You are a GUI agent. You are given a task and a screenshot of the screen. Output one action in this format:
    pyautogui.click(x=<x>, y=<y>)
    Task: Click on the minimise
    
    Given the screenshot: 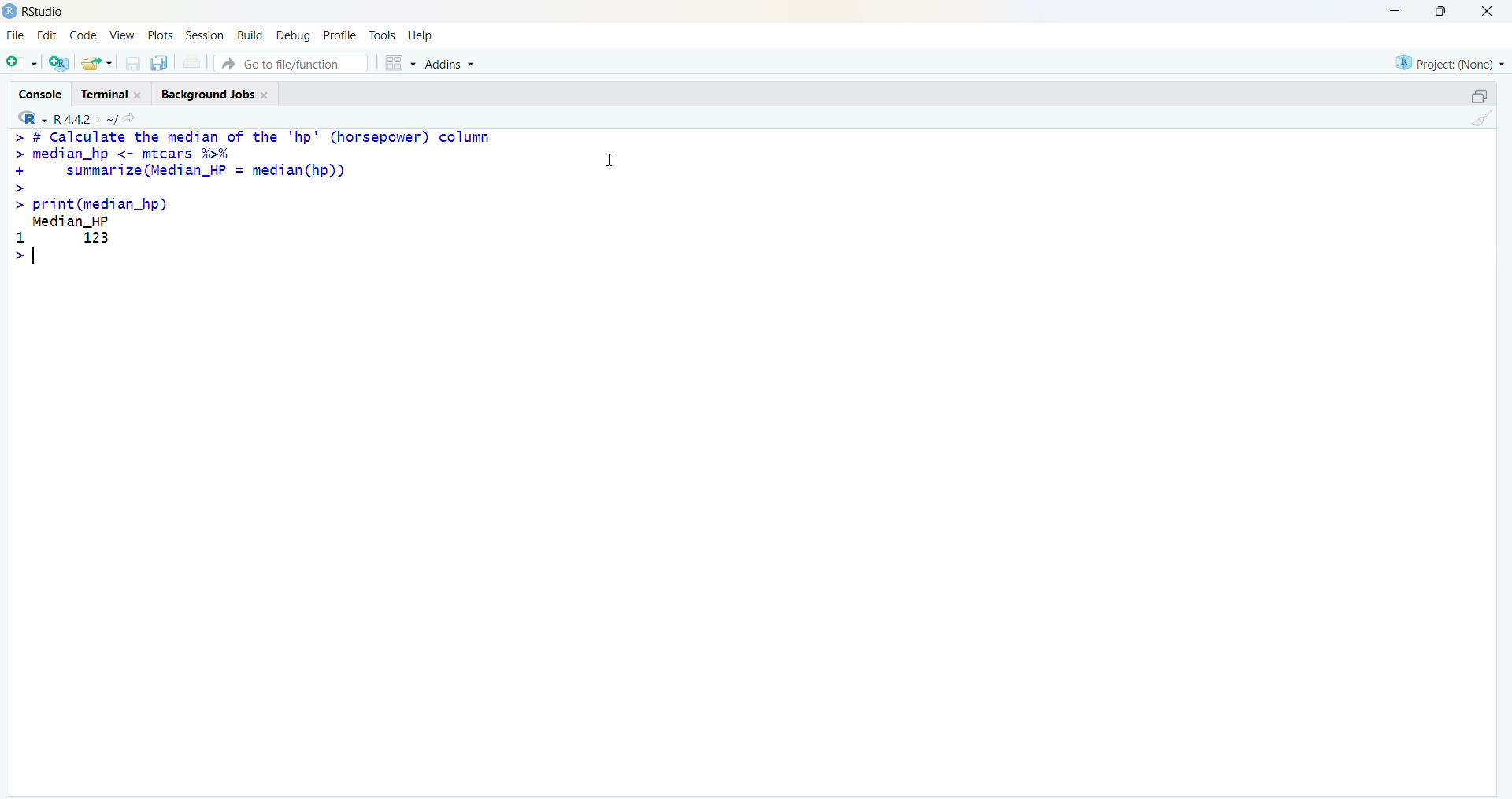 What is the action you would take?
    pyautogui.click(x=1395, y=10)
    